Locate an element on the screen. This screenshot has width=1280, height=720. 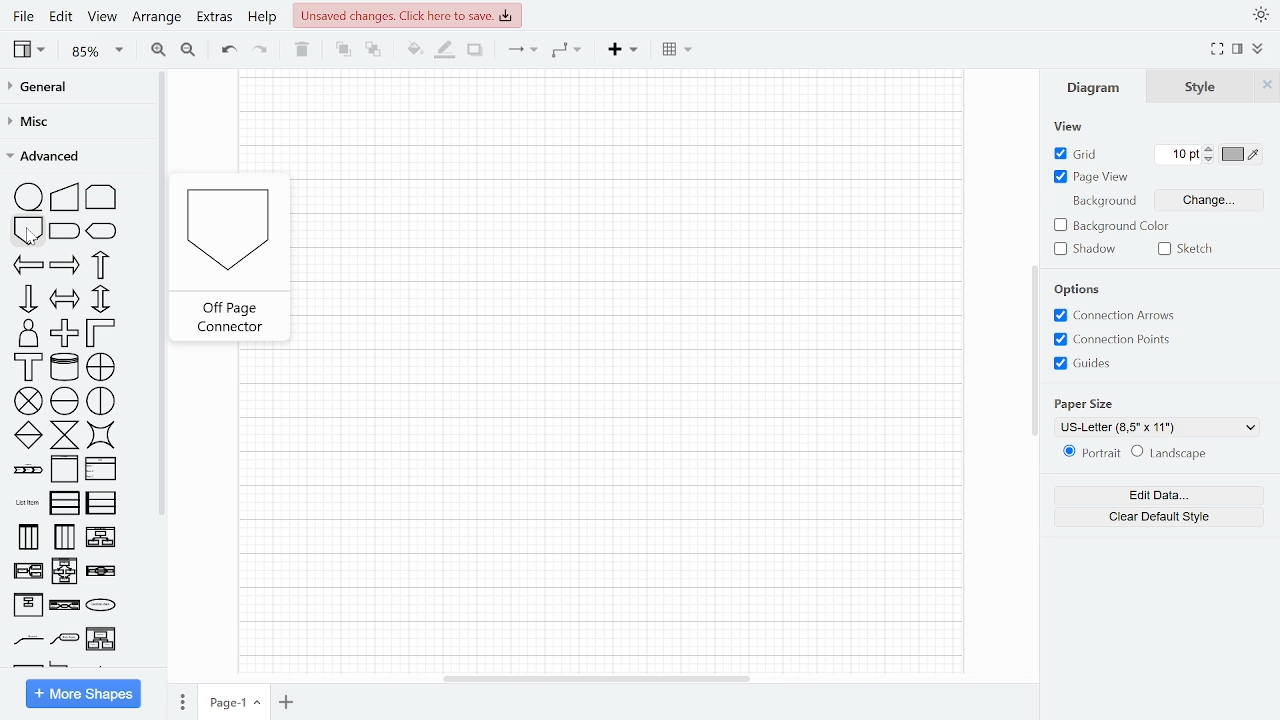
Increase grid pt is located at coordinates (1210, 148).